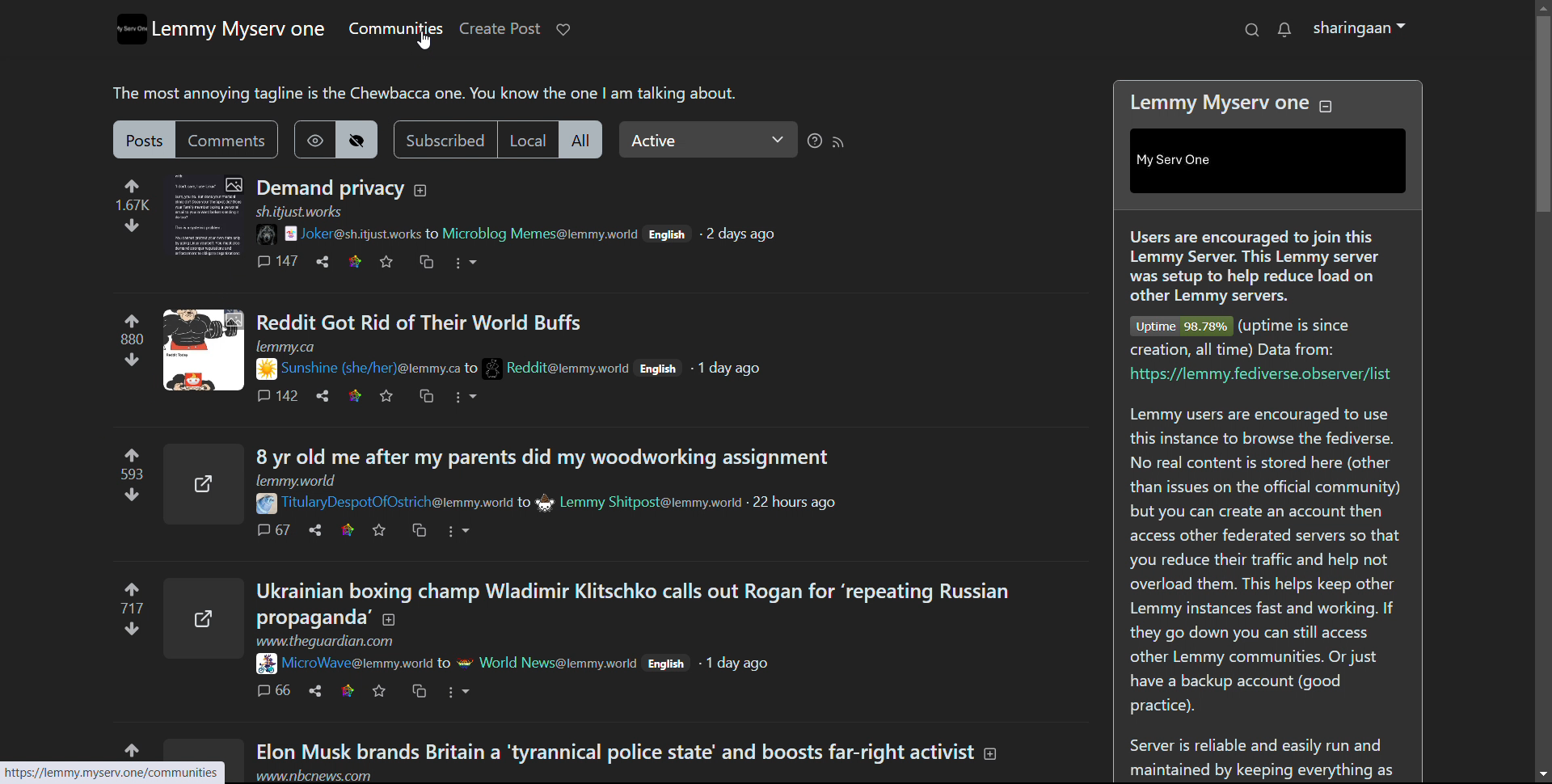 This screenshot has width=1552, height=784. Describe the element at coordinates (278, 261) in the screenshot. I see `147 comments` at that location.